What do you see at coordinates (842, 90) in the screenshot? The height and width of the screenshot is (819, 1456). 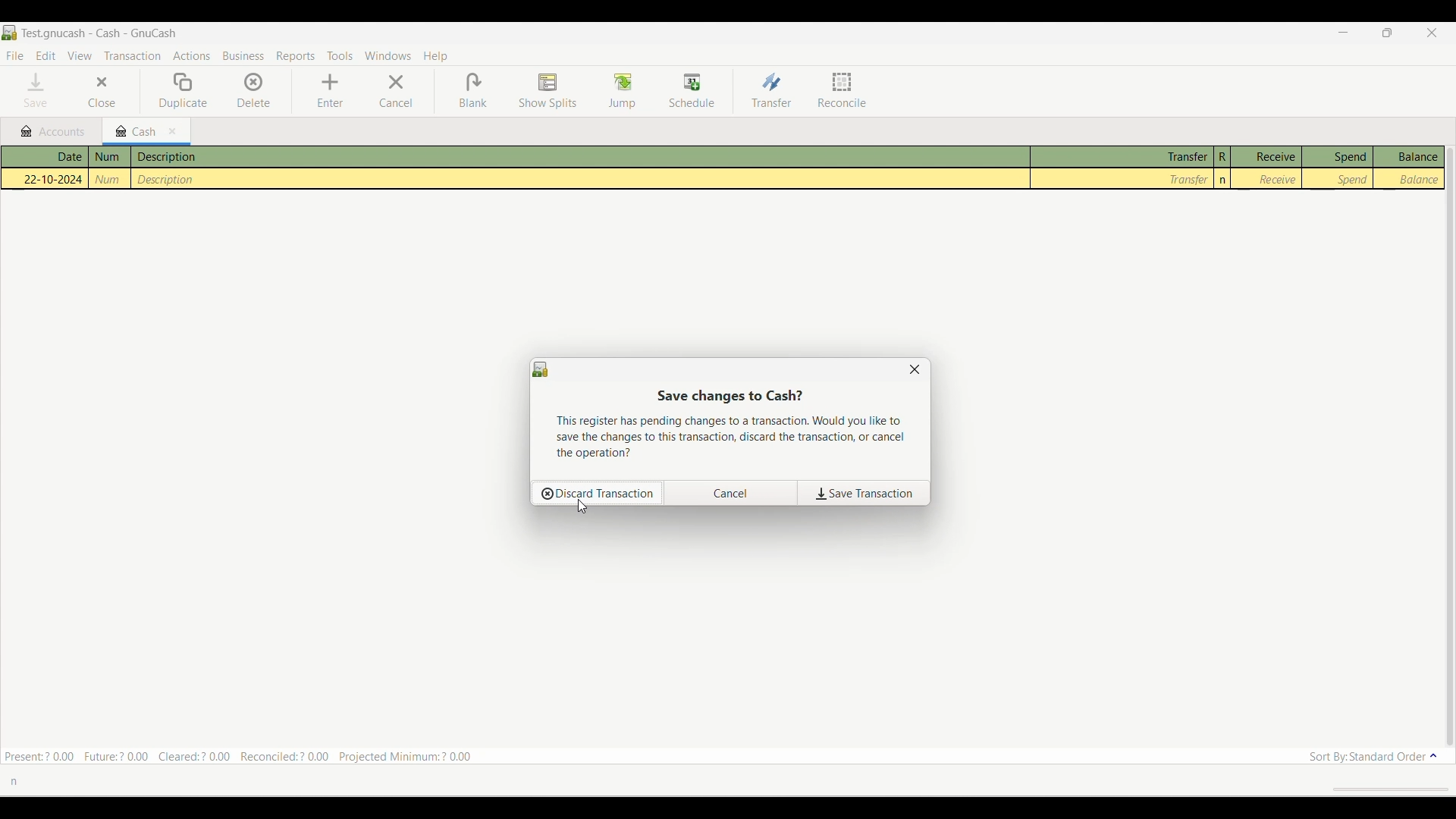 I see `Reconcile` at bounding box center [842, 90].